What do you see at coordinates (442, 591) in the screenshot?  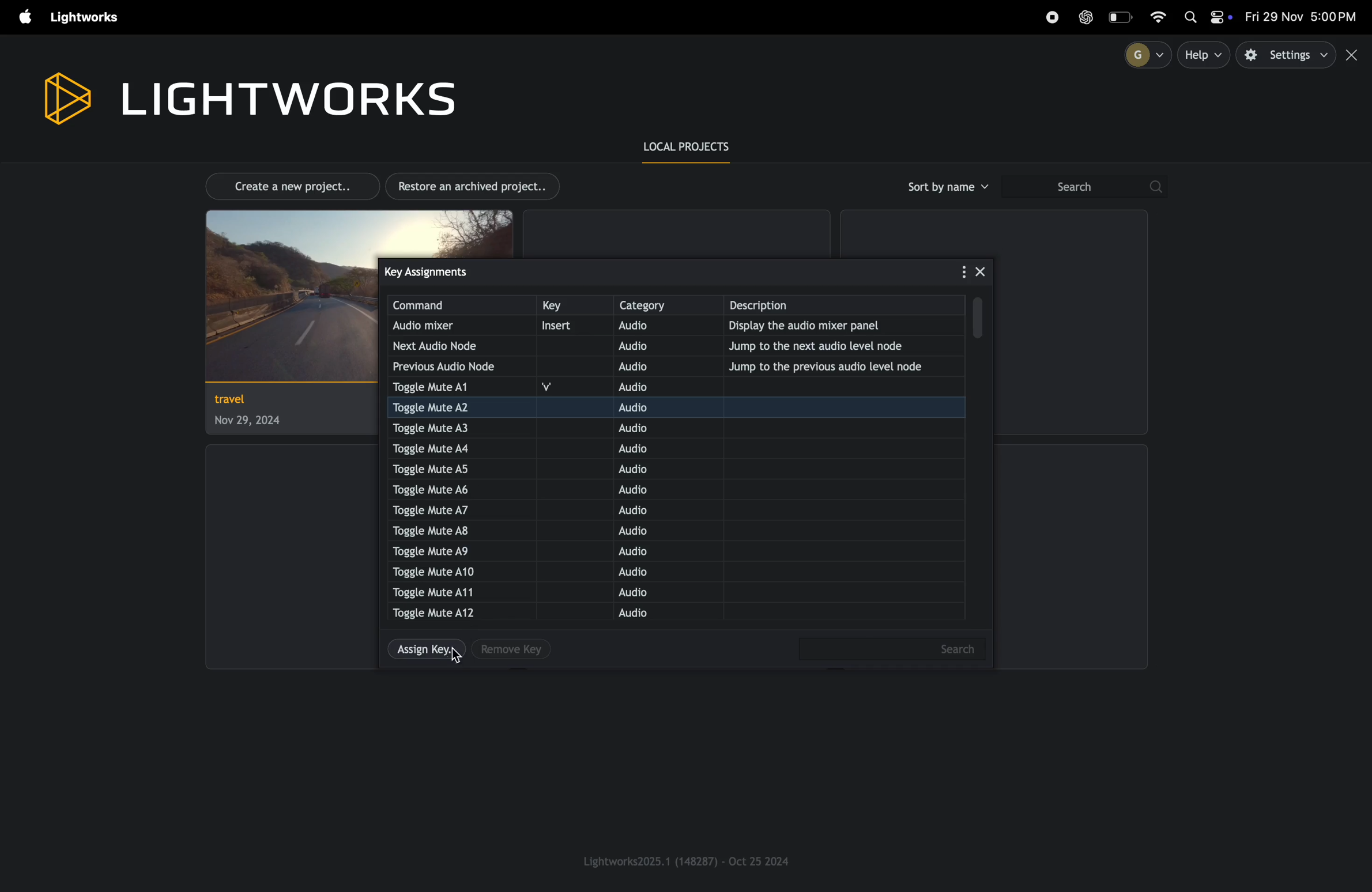 I see `toggle mute A11` at bounding box center [442, 591].